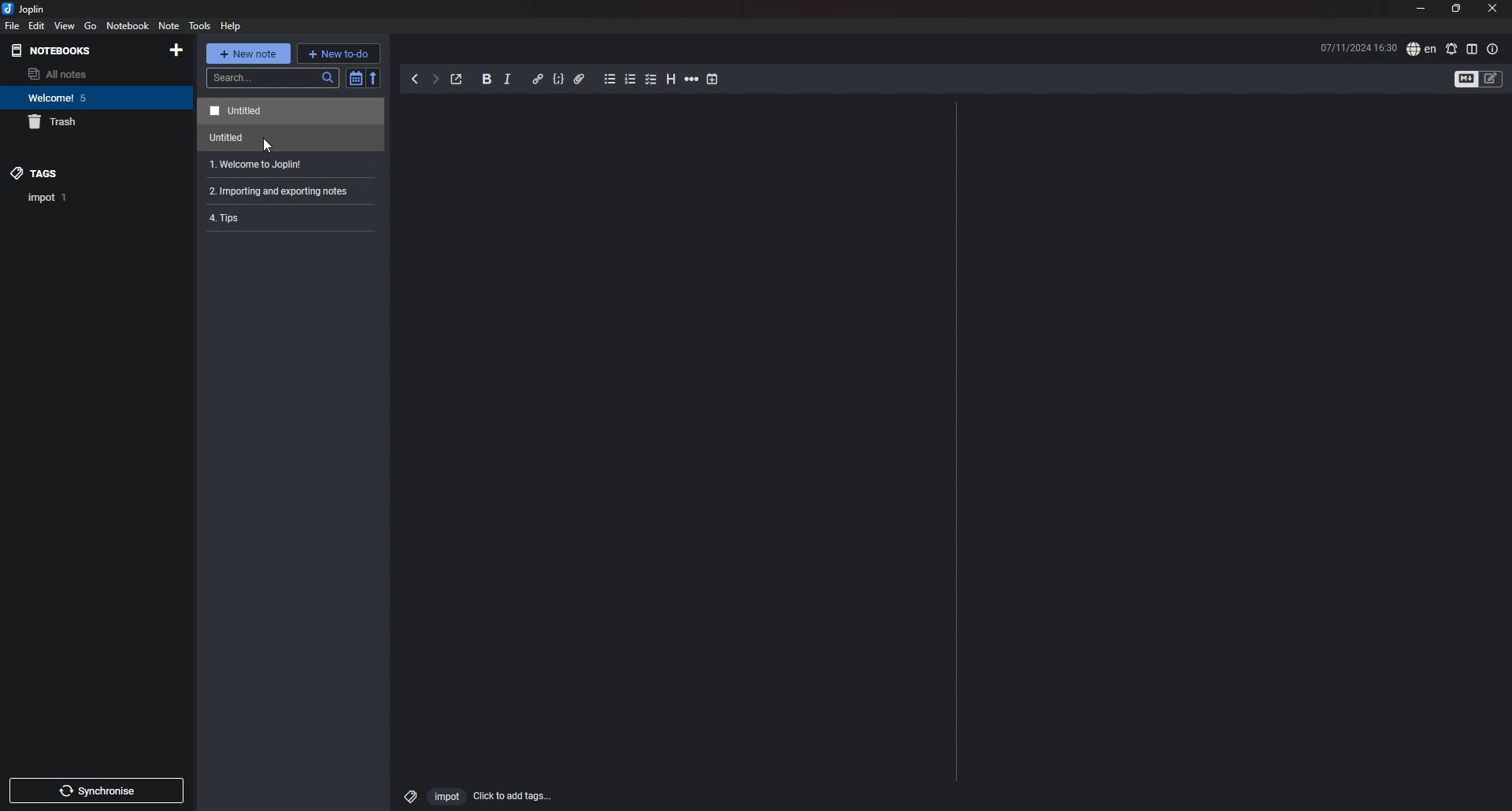 This screenshot has height=811, width=1512. Describe the element at coordinates (651, 80) in the screenshot. I see `checkbox` at that location.